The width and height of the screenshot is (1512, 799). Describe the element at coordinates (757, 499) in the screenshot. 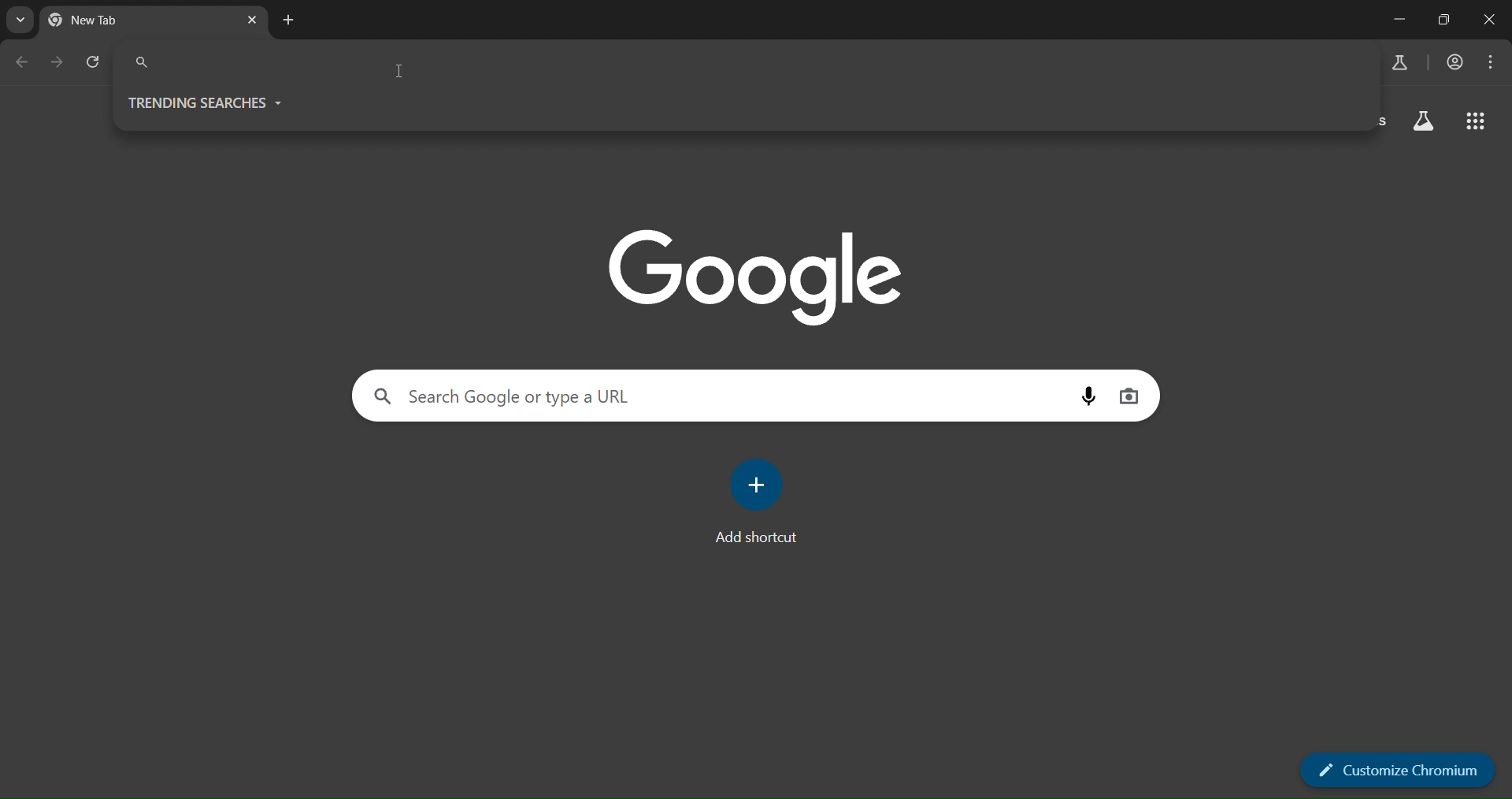

I see `Add shortcut` at that location.